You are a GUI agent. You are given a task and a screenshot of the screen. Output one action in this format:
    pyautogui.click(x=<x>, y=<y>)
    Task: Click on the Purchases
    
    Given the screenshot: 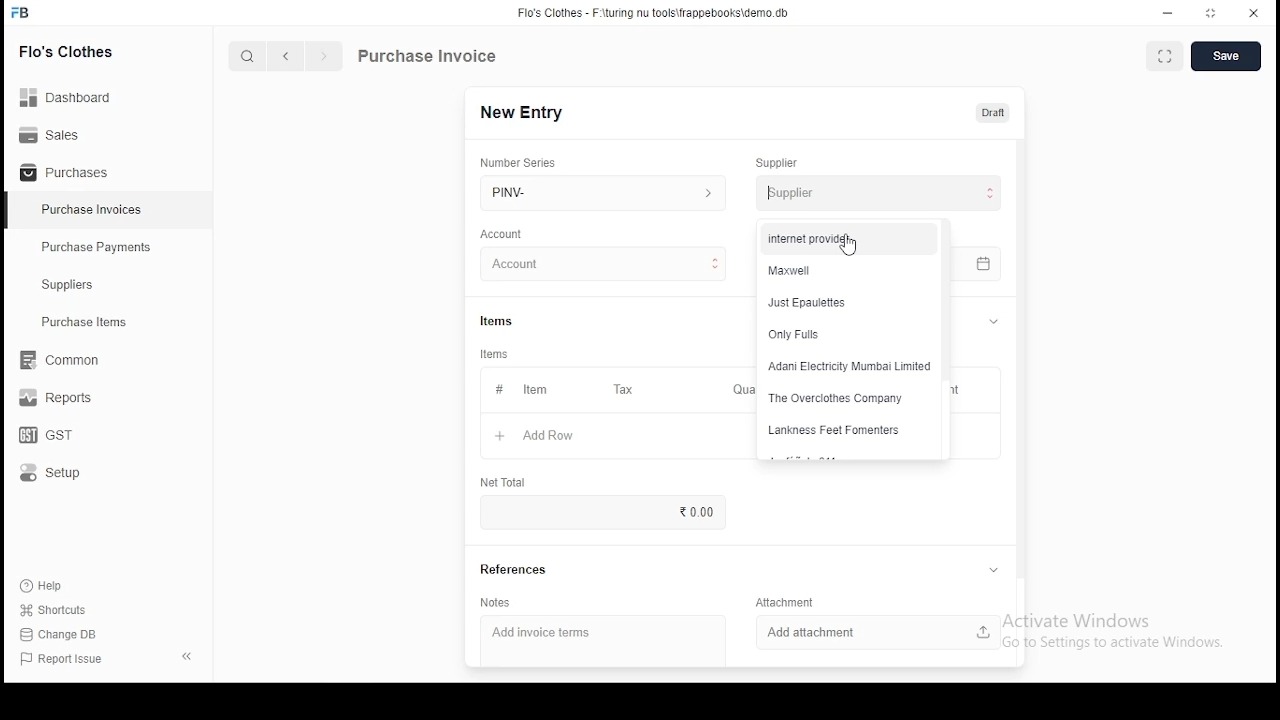 What is the action you would take?
    pyautogui.click(x=65, y=173)
    